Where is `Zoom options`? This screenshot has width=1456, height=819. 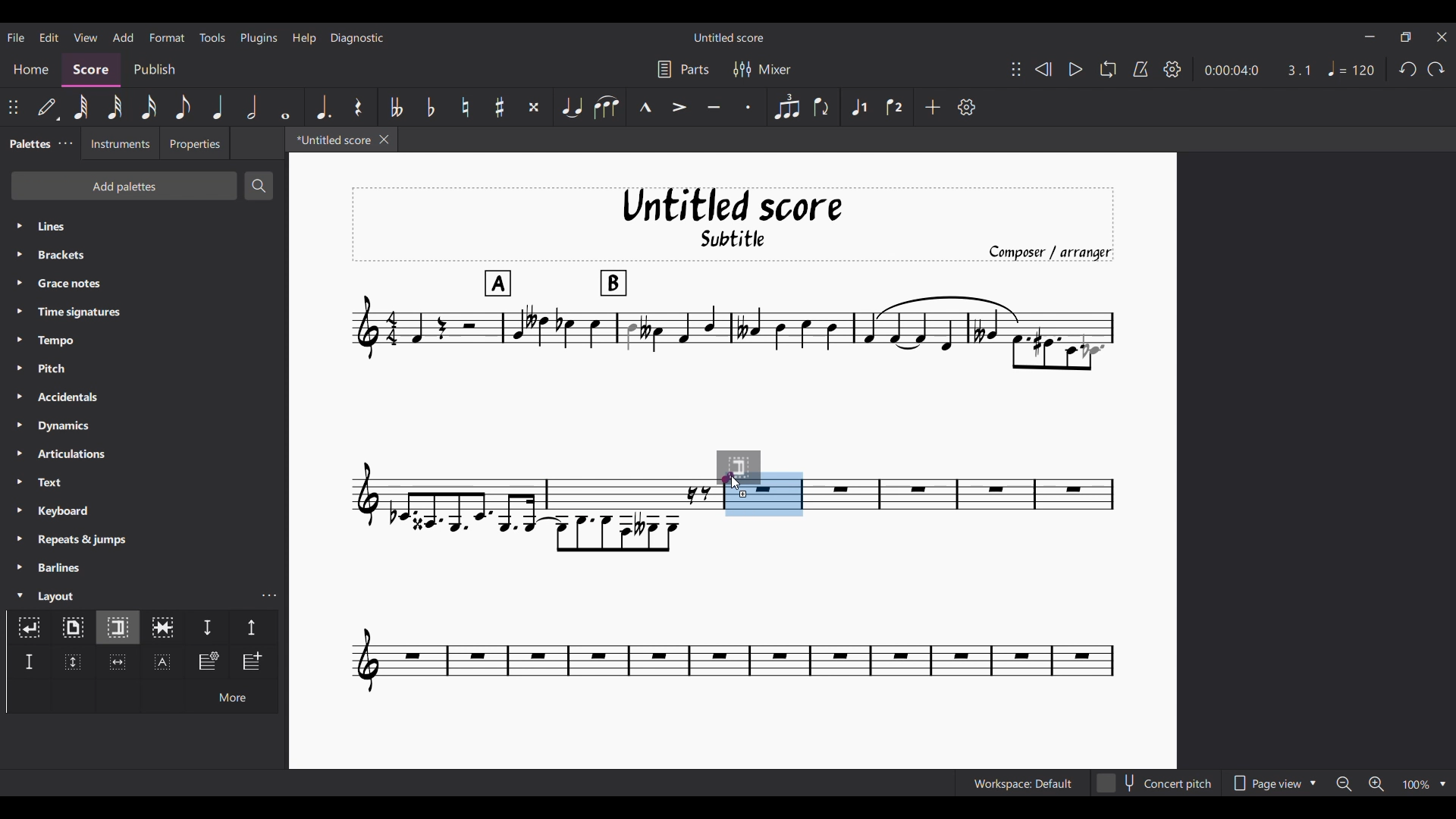 Zoom options is located at coordinates (1425, 783).